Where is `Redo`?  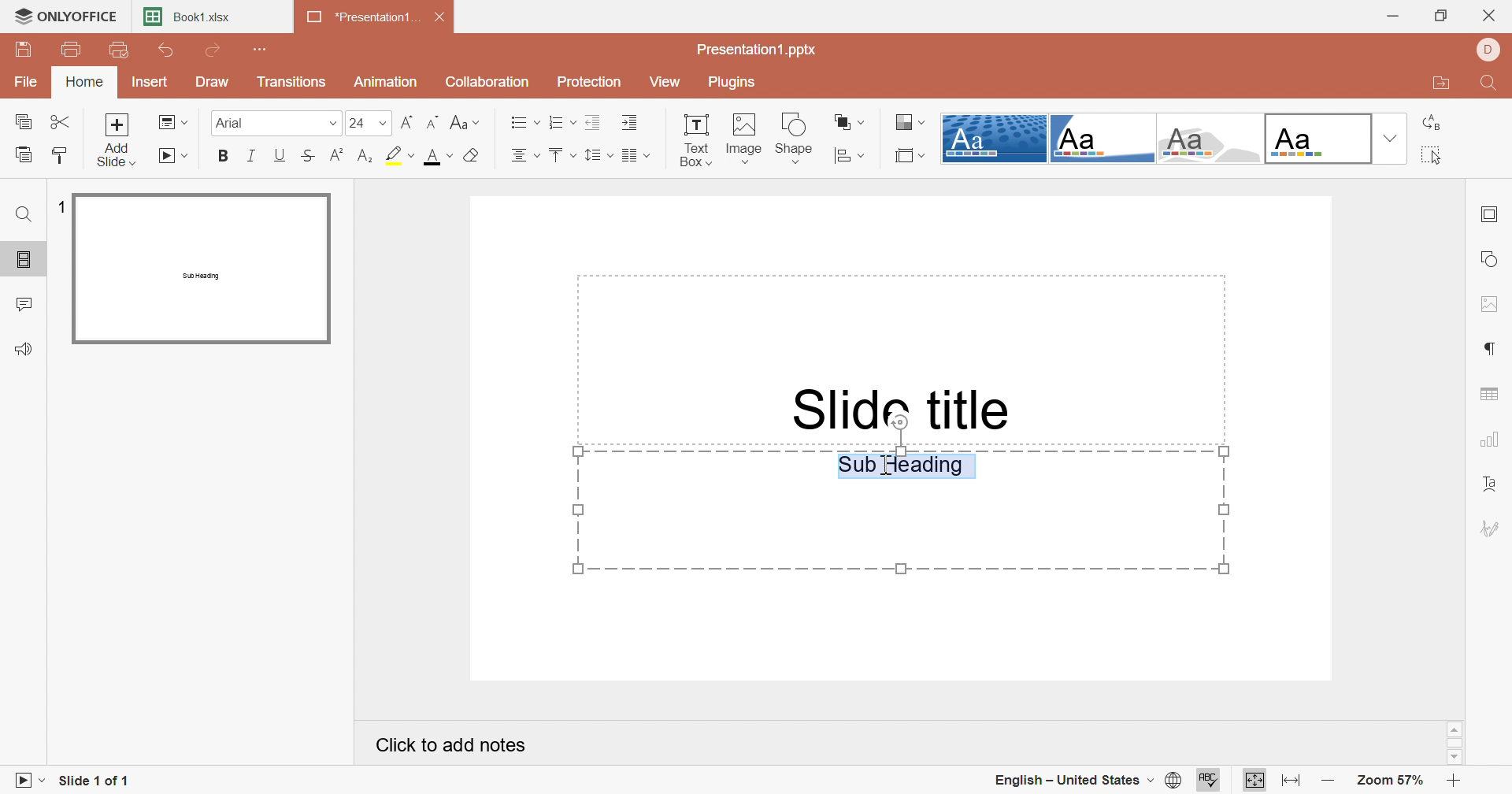
Redo is located at coordinates (216, 50).